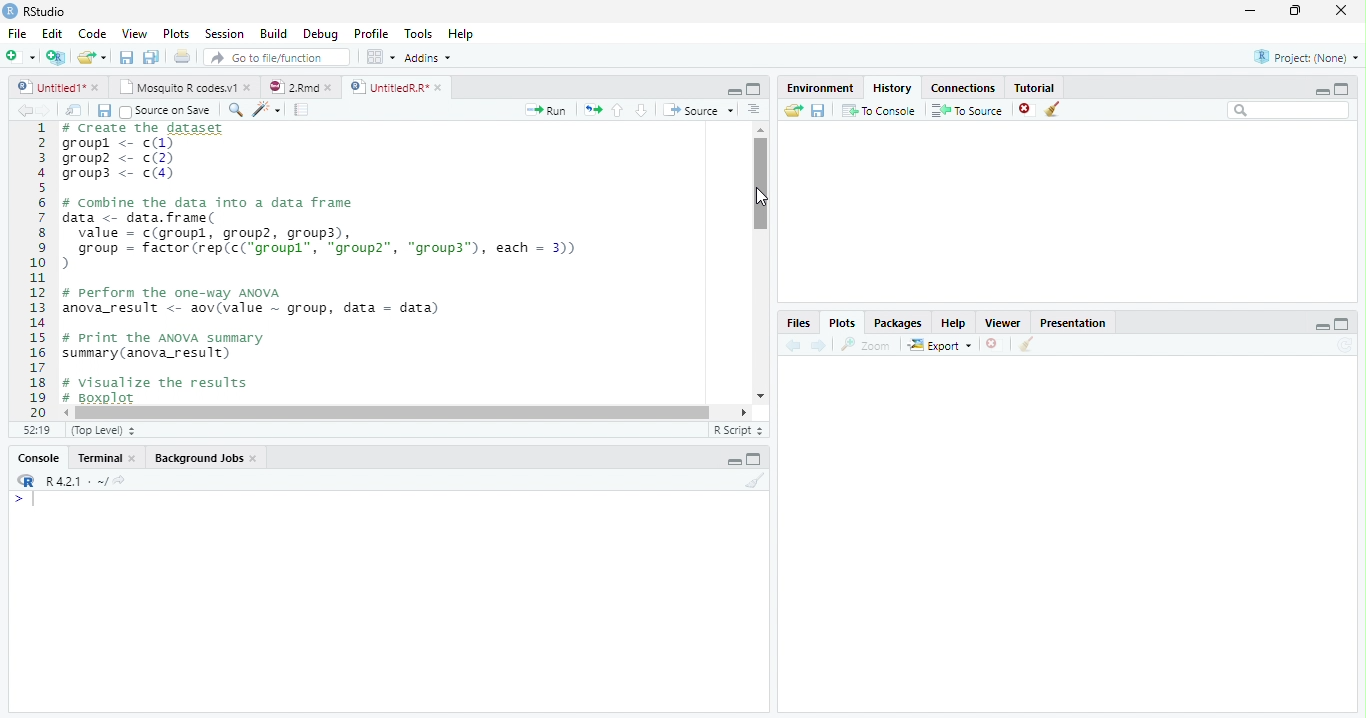 Image resolution: width=1366 pixels, height=718 pixels. What do you see at coordinates (301, 111) in the screenshot?
I see `Pages` at bounding box center [301, 111].